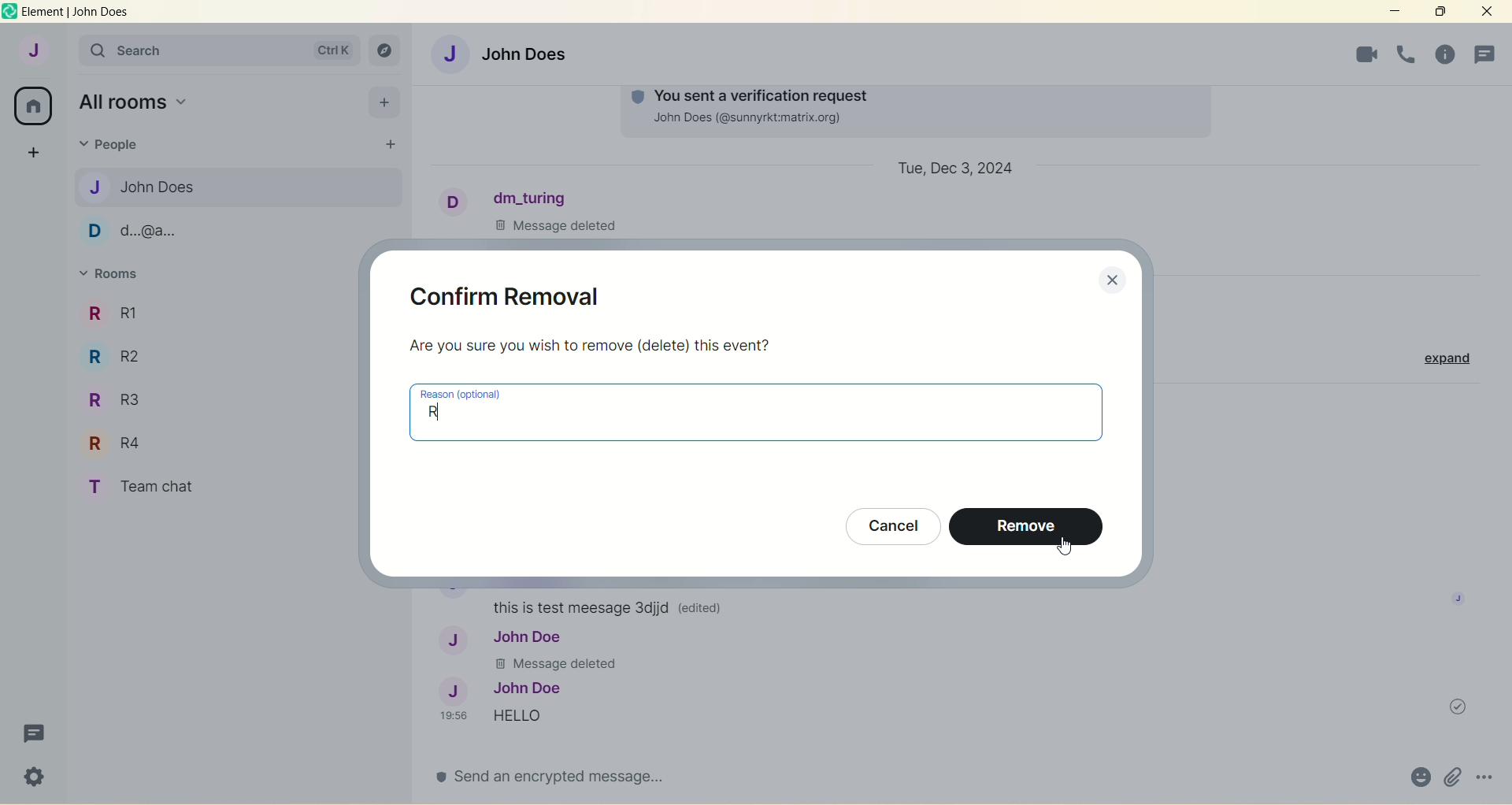 The width and height of the screenshot is (1512, 805). I want to click on confirm removal, so click(509, 294).